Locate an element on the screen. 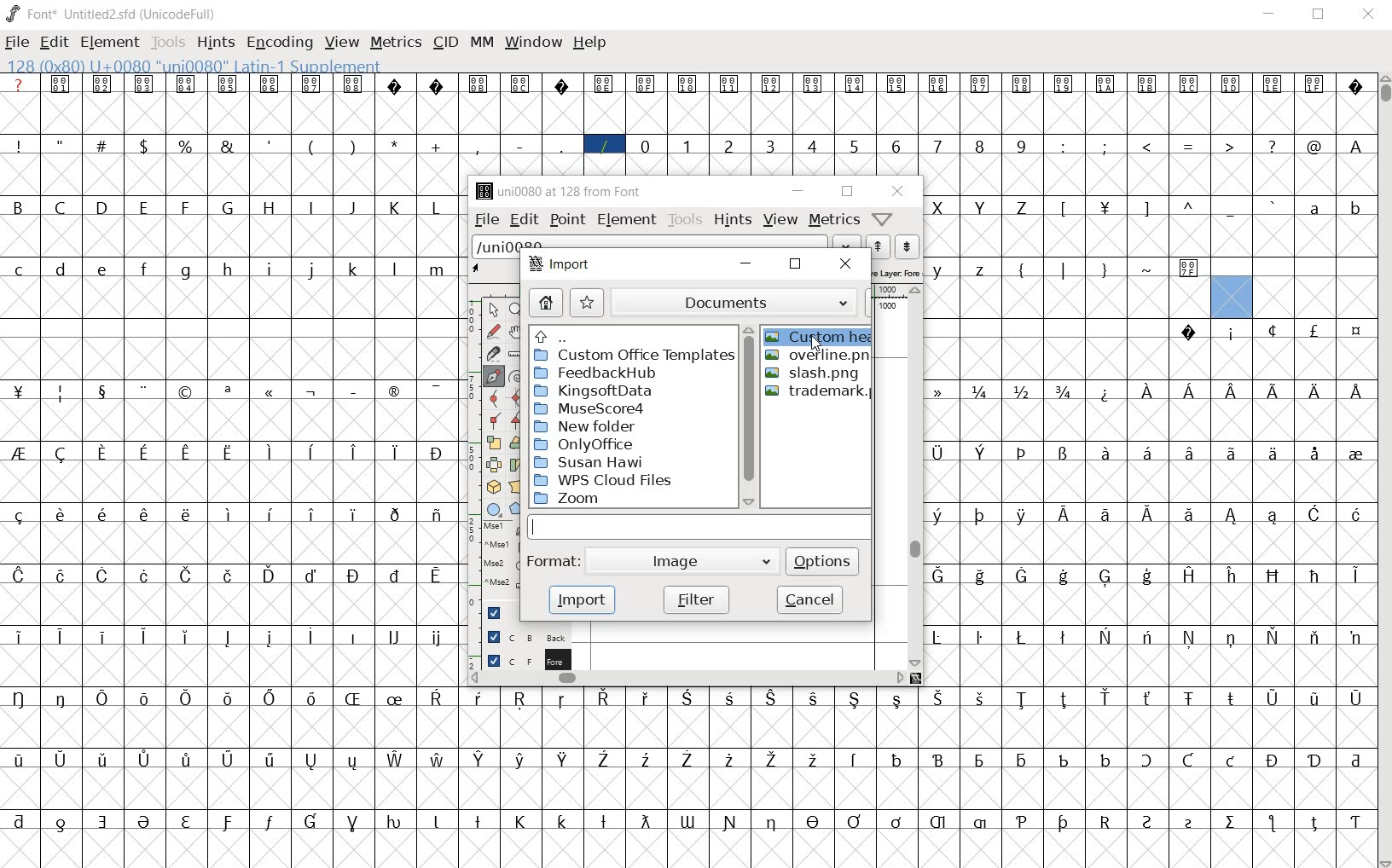  minimize is located at coordinates (798, 190).